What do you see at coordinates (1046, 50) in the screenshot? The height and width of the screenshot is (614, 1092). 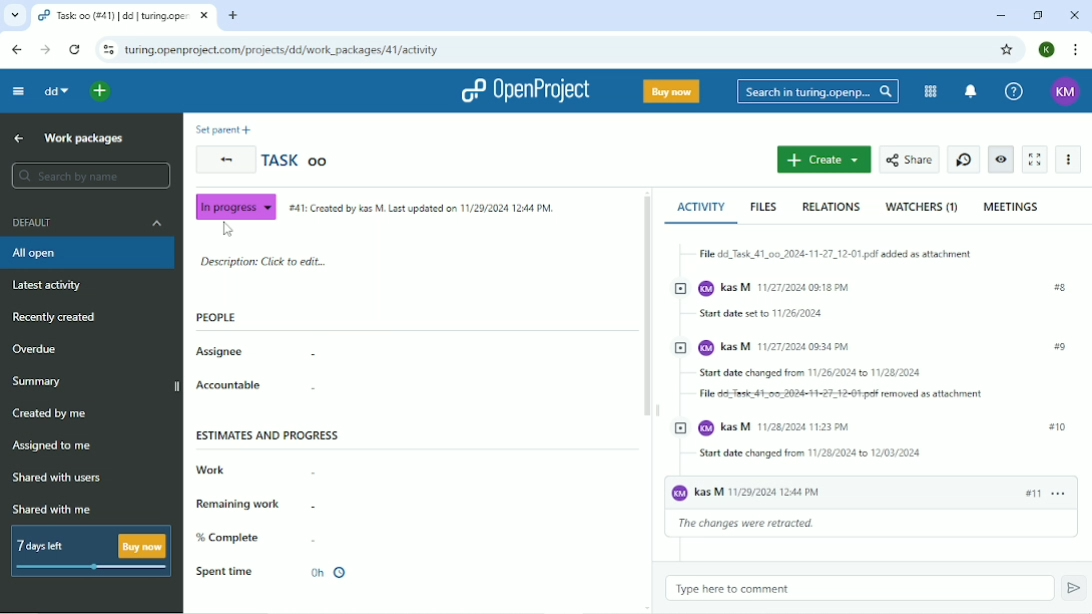 I see `Account` at bounding box center [1046, 50].